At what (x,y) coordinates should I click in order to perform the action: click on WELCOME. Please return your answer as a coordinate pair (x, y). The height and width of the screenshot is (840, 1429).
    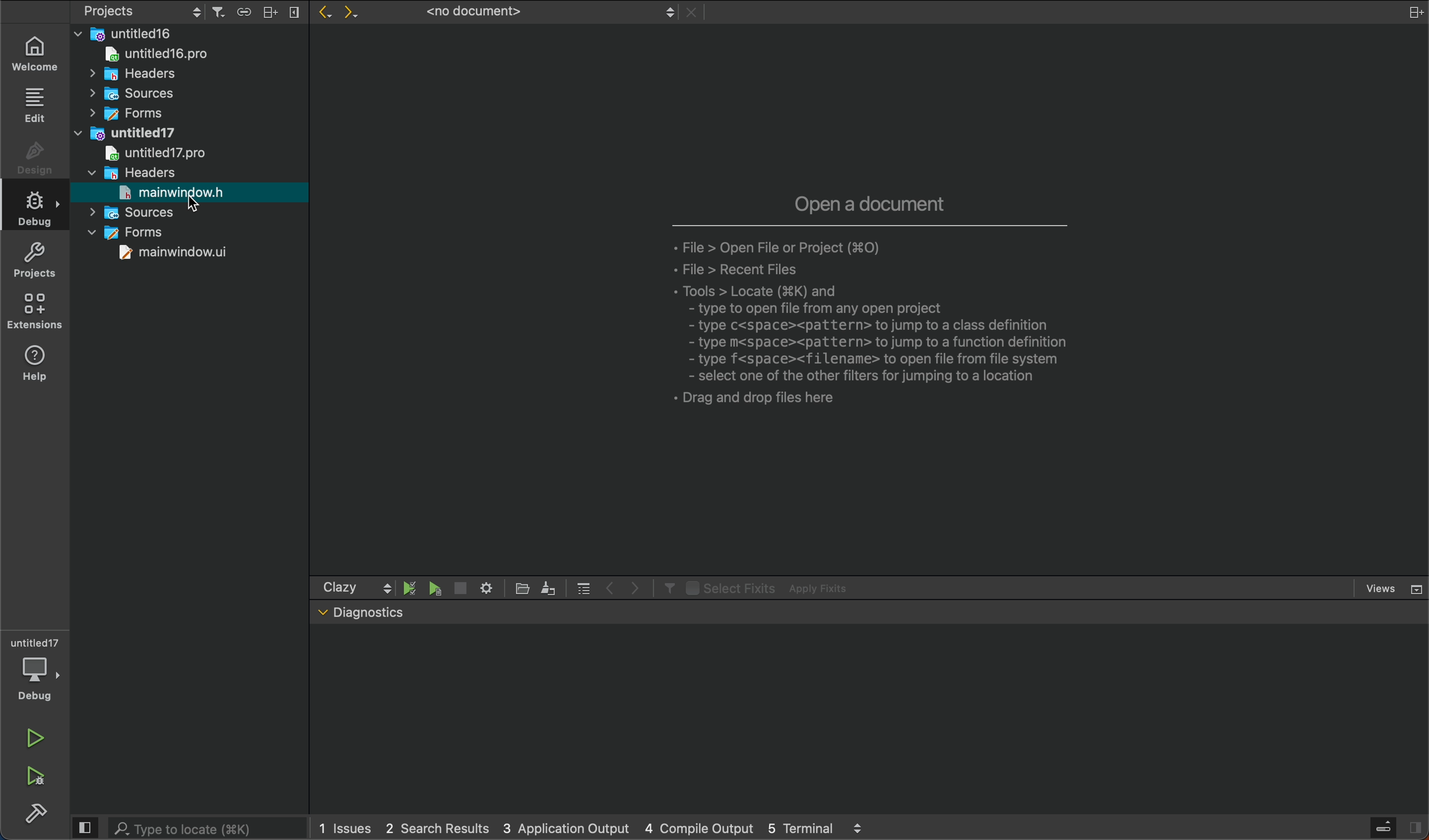
    Looking at the image, I should click on (38, 53).